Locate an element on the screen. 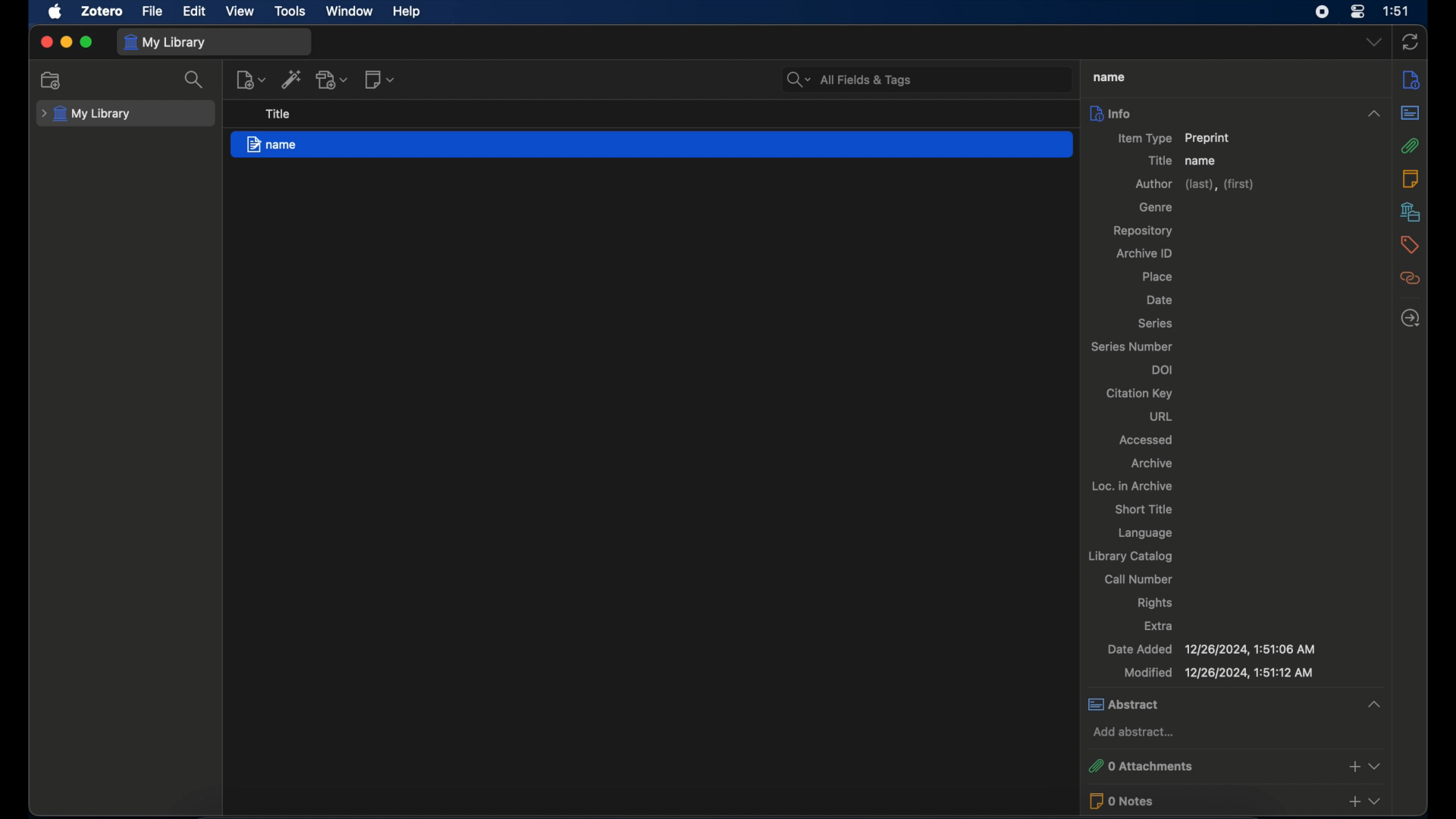 The image size is (1456, 819). name is located at coordinates (650, 144).